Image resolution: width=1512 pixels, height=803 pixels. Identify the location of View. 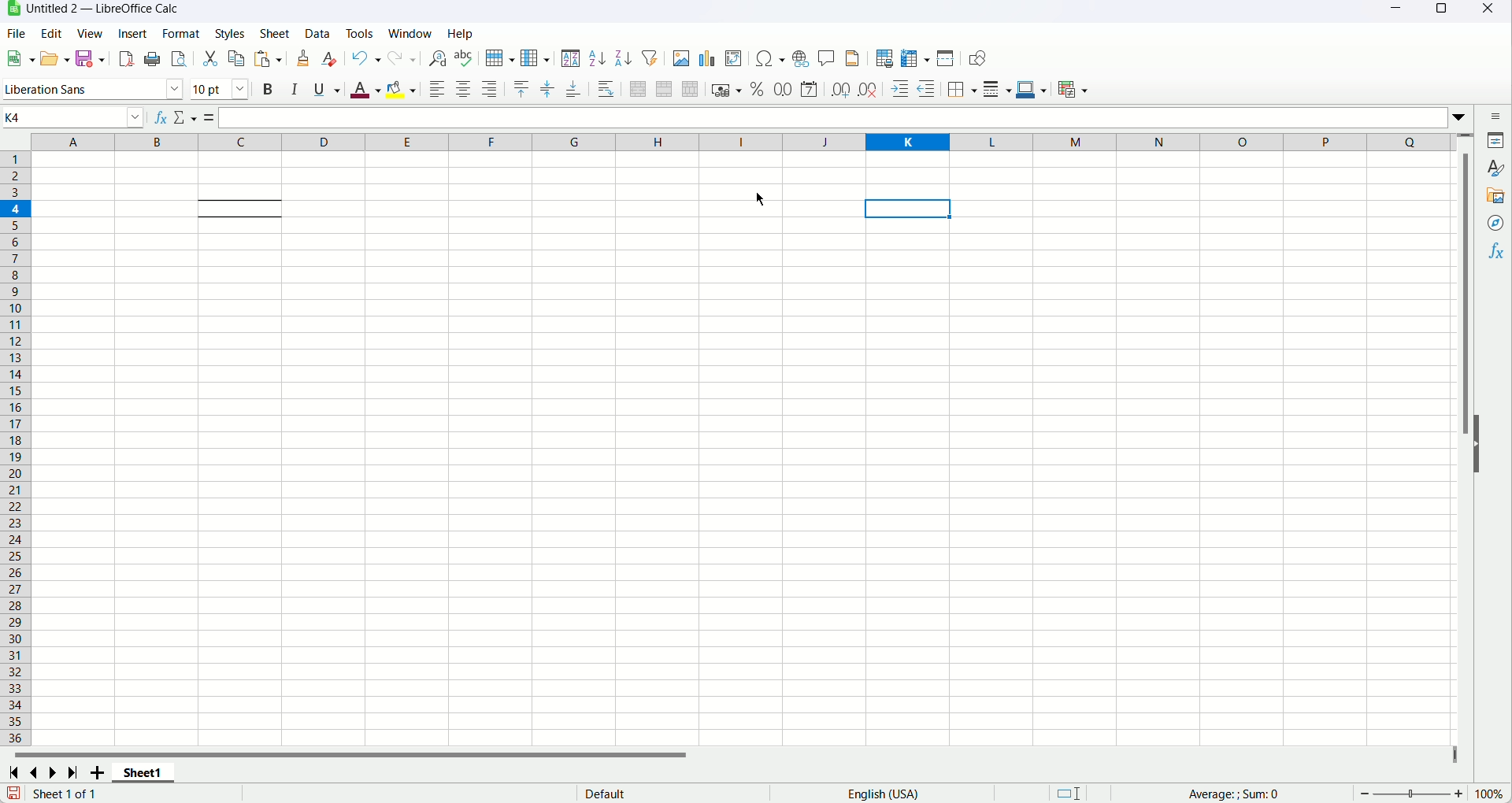
(90, 35).